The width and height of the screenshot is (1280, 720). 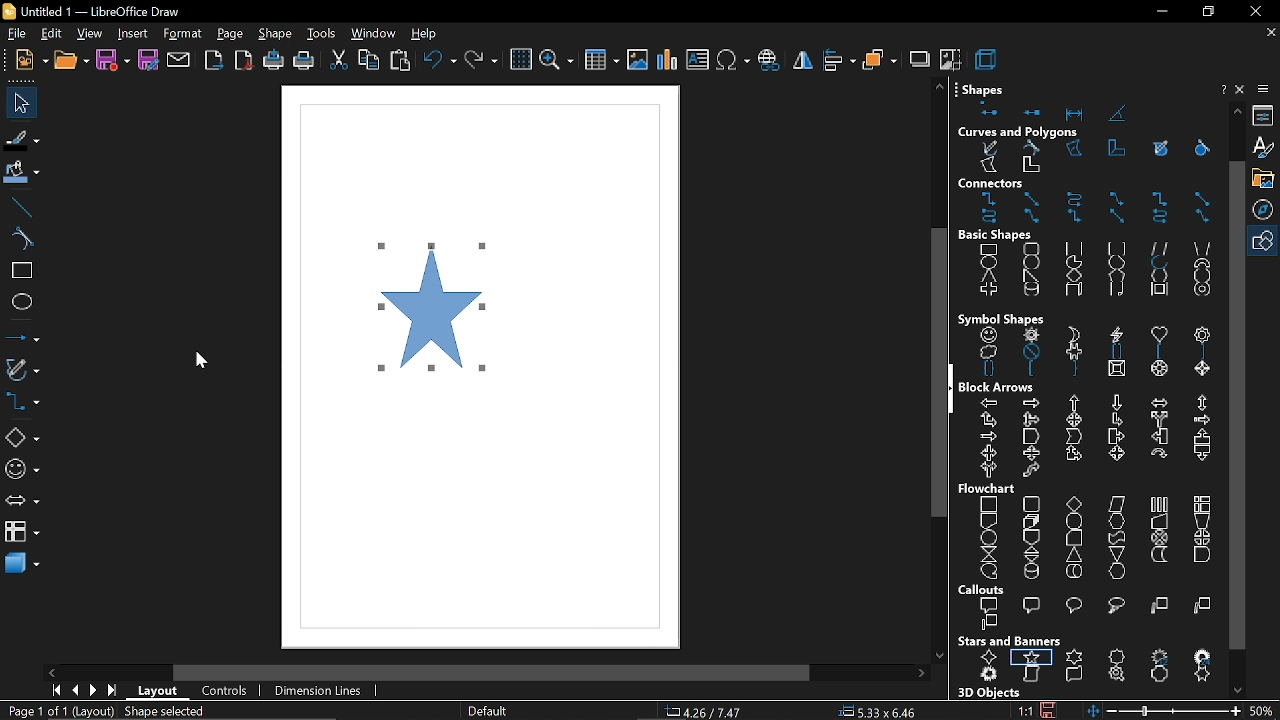 What do you see at coordinates (1265, 712) in the screenshot?
I see `current zoom` at bounding box center [1265, 712].